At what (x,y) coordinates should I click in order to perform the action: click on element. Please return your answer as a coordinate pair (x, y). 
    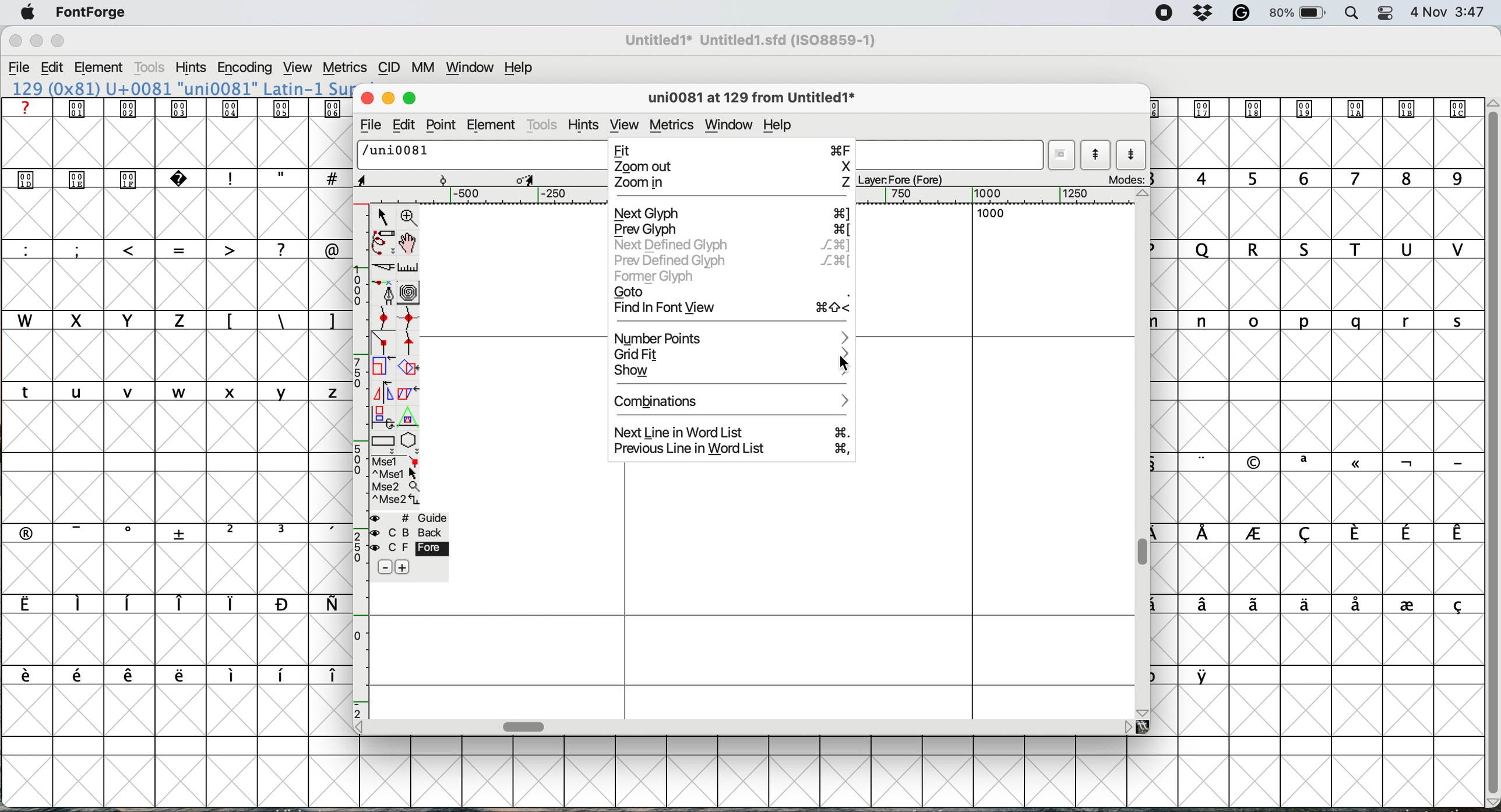
    Looking at the image, I should click on (494, 124).